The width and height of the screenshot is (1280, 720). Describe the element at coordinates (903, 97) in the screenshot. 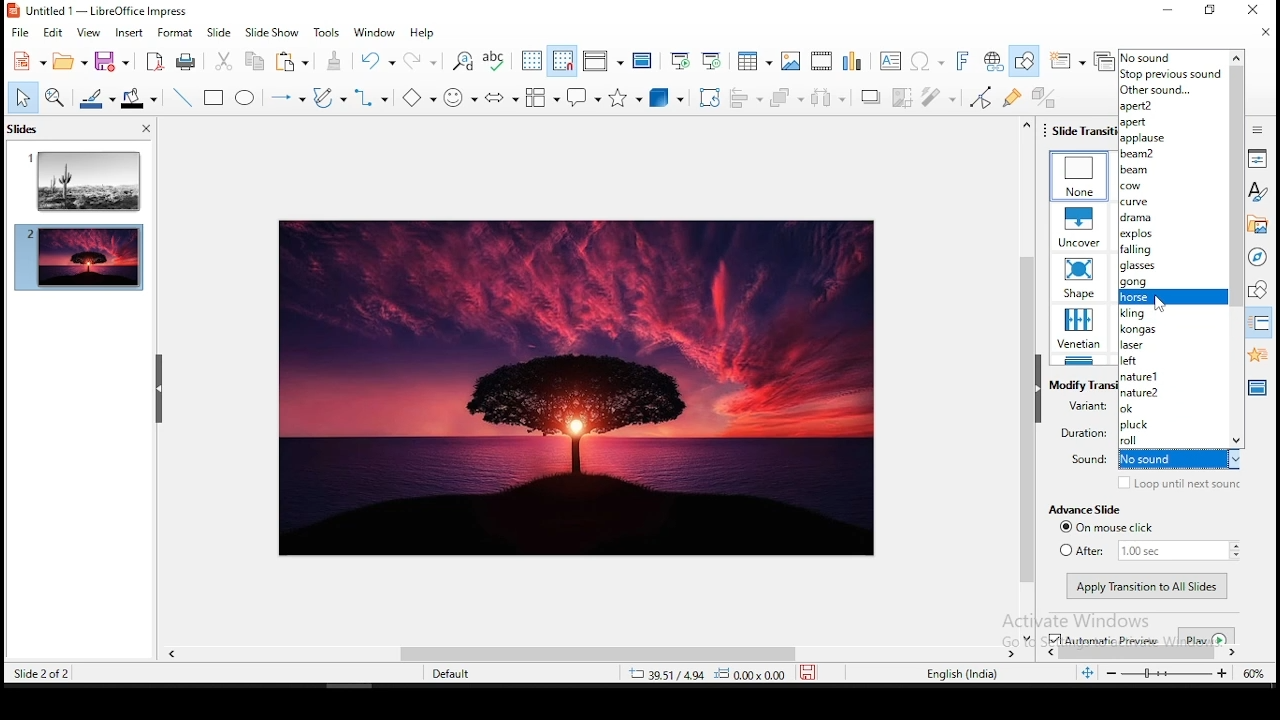

I see `crop image` at that location.